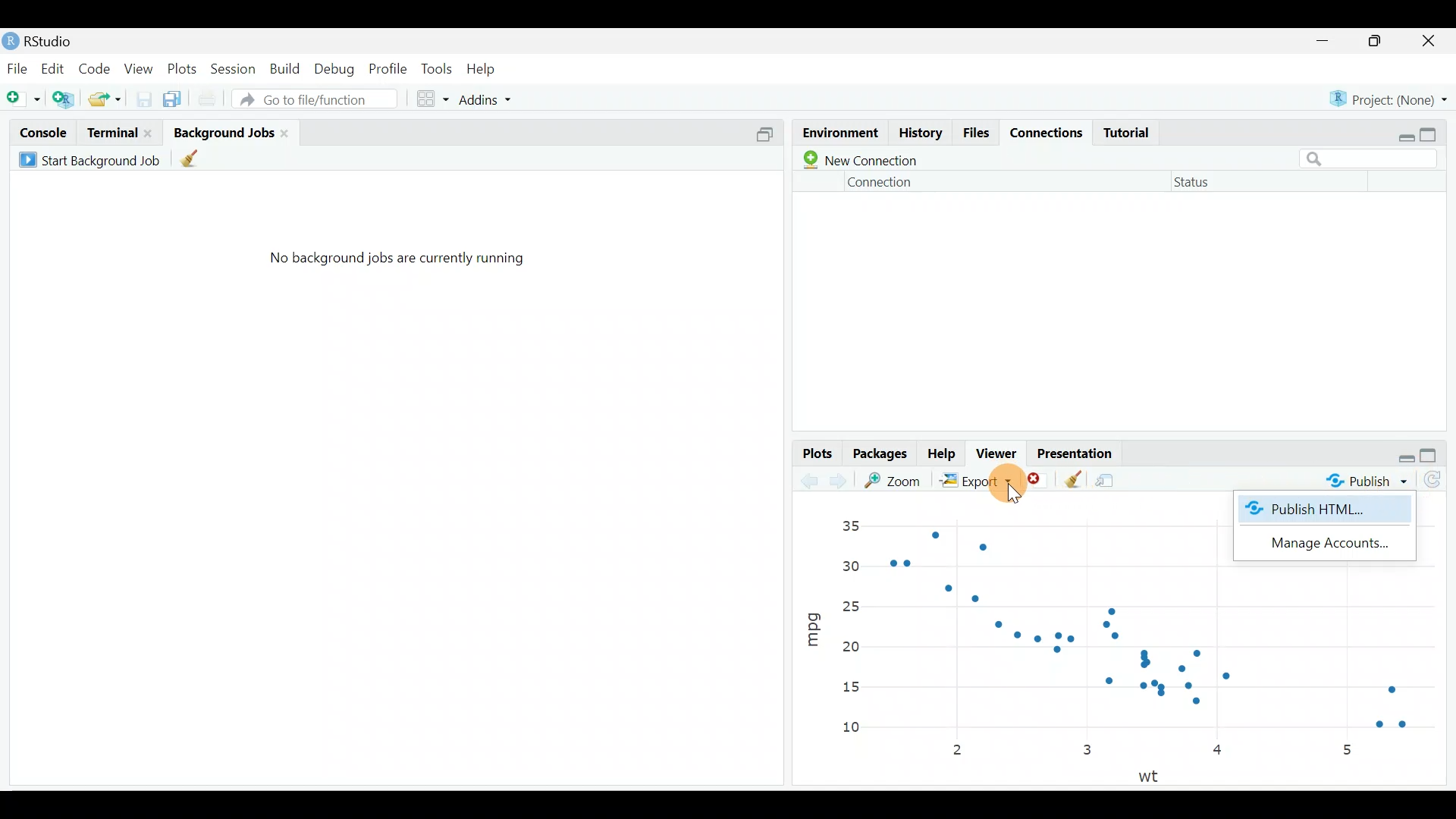 Image resolution: width=1456 pixels, height=819 pixels. What do you see at coordinates (882, 455) in the screenshot?
I see `Packages` at bounding box center [882, 455].